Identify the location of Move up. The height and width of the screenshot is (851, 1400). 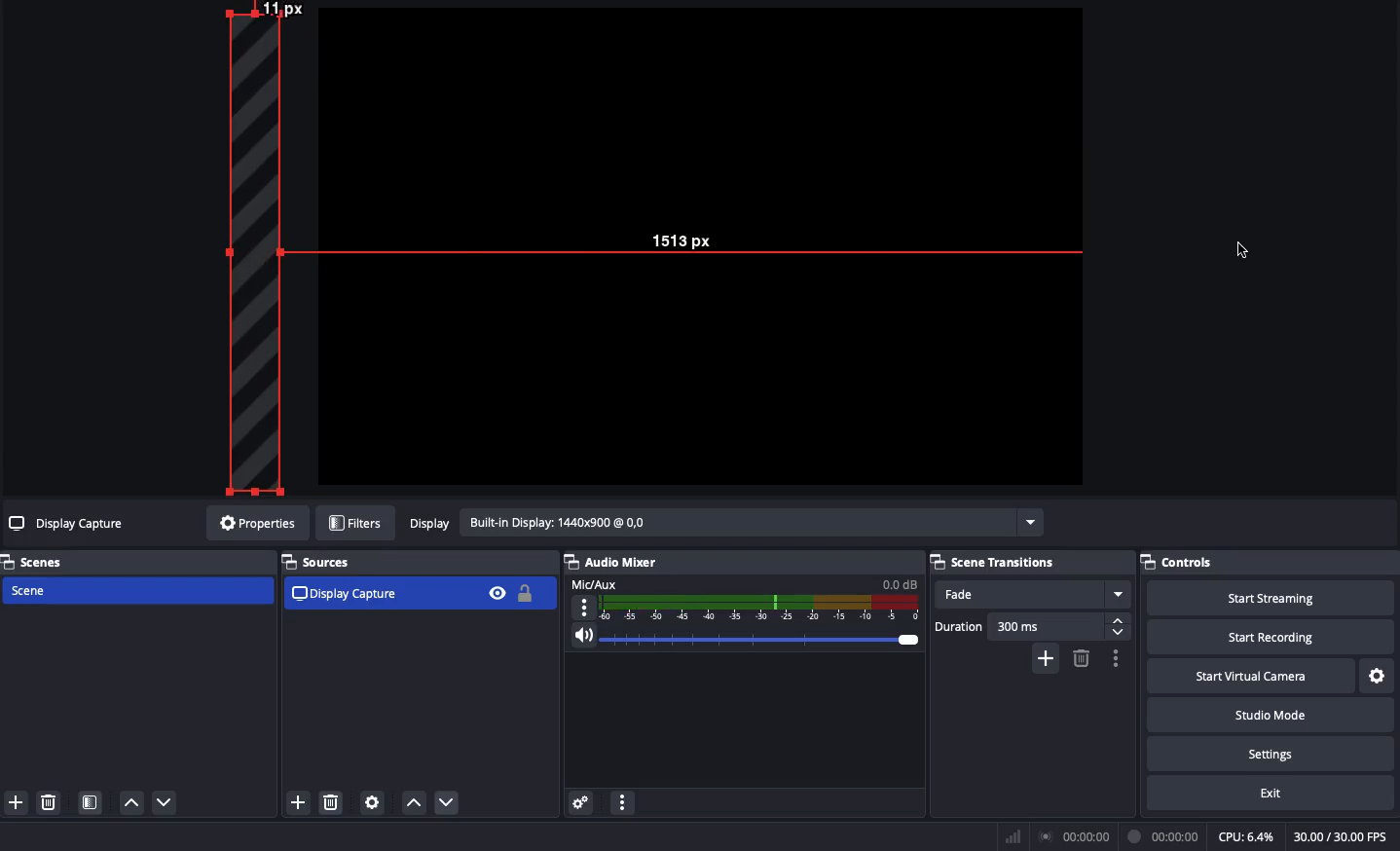
(130, 801).